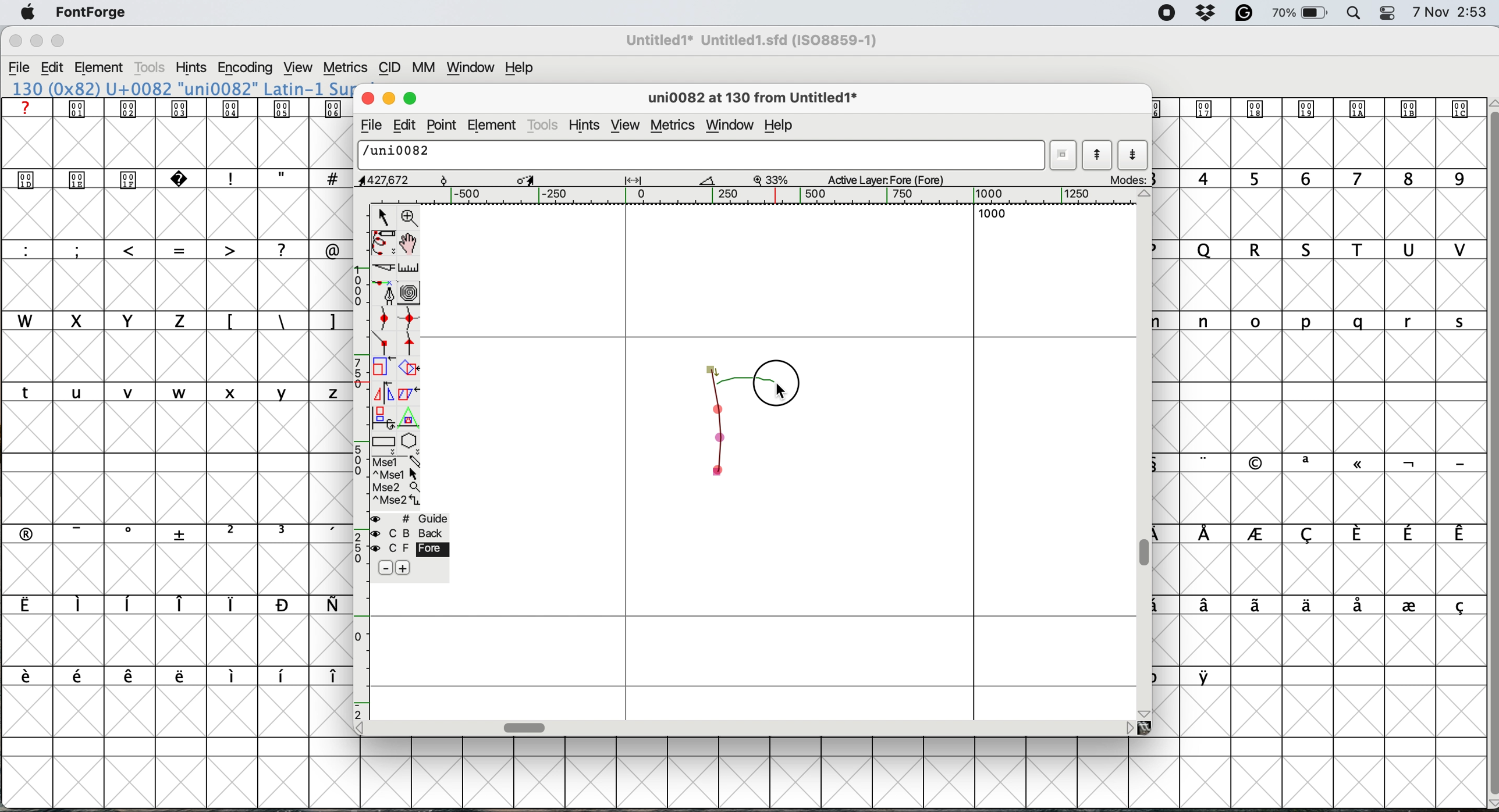 This screenshot has width=1499, height=812. I want to click on element, so click(493, 126).